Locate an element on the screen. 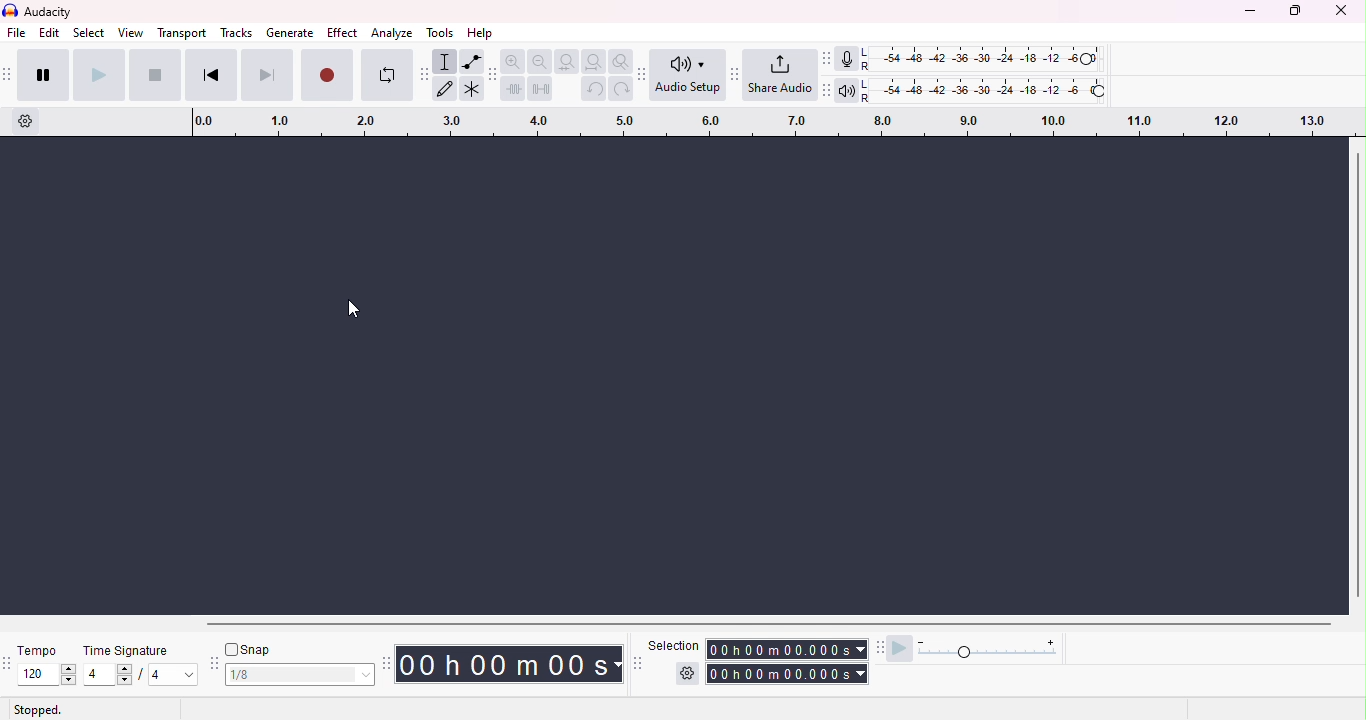 The height and width of the screenshot is (720, 1366). selection time is located at coordinates (788, 649).